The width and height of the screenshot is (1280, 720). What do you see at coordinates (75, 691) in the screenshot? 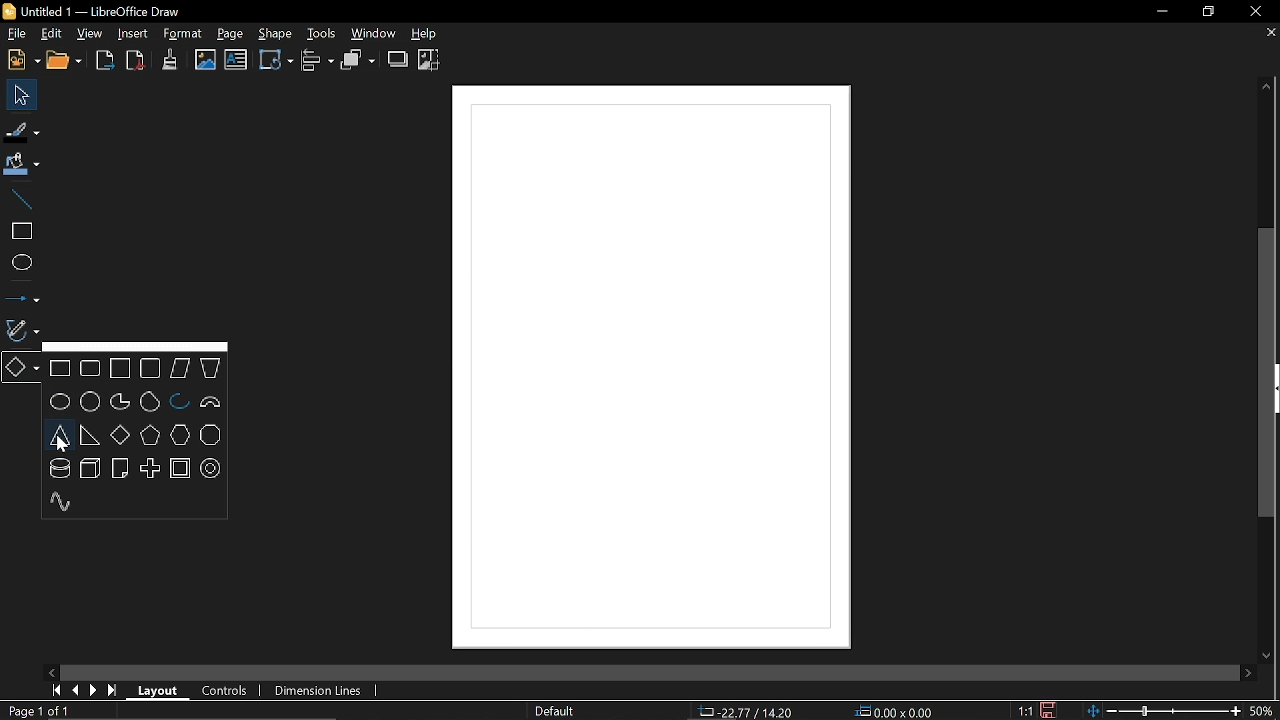
I see `Previous page` at bounding box center [75, 691].